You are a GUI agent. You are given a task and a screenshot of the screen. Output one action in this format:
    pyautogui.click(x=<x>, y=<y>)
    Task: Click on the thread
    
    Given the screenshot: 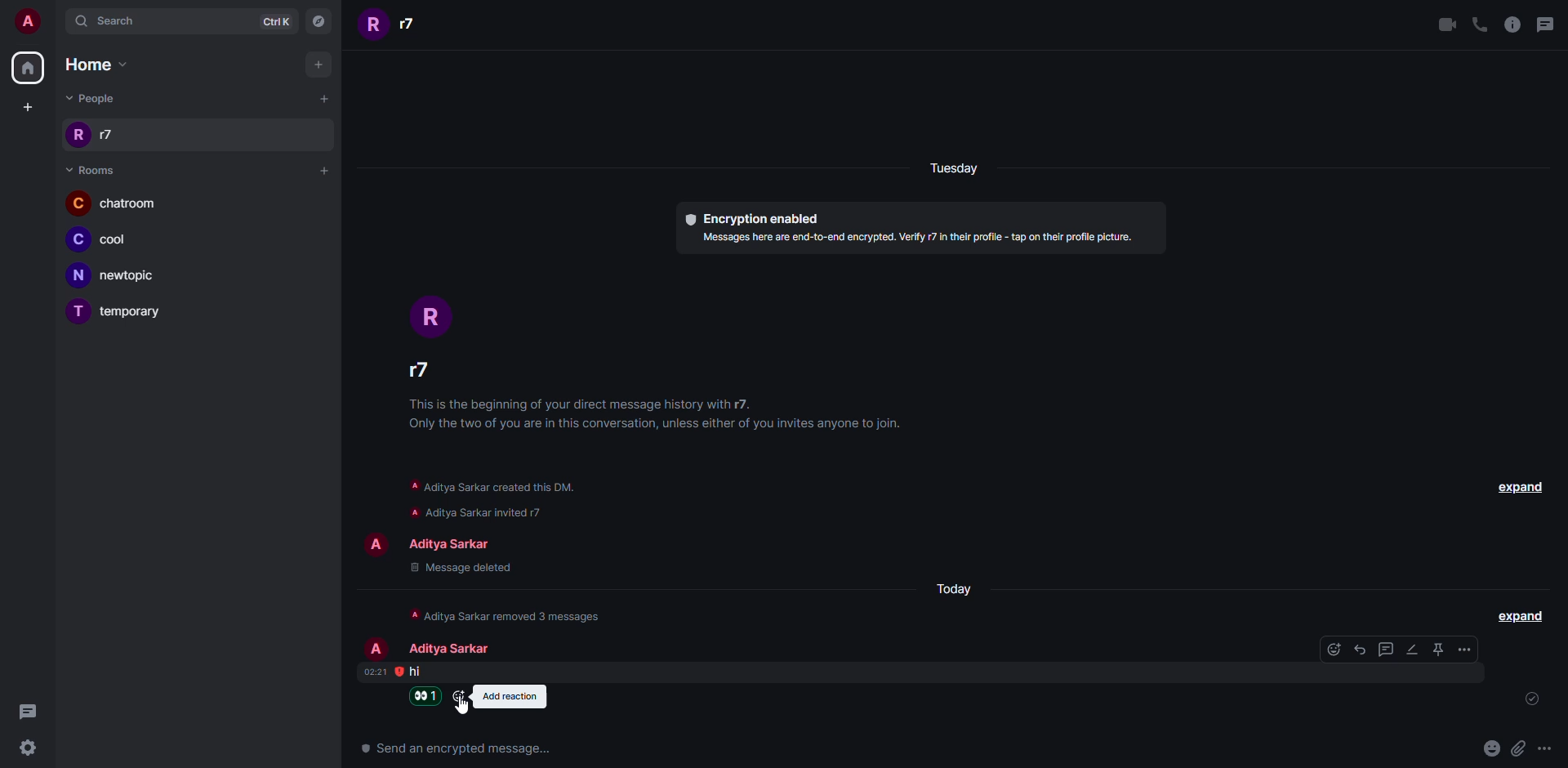 What is the action you would take?
    pyautogui.click(x=1388, y=649)
    